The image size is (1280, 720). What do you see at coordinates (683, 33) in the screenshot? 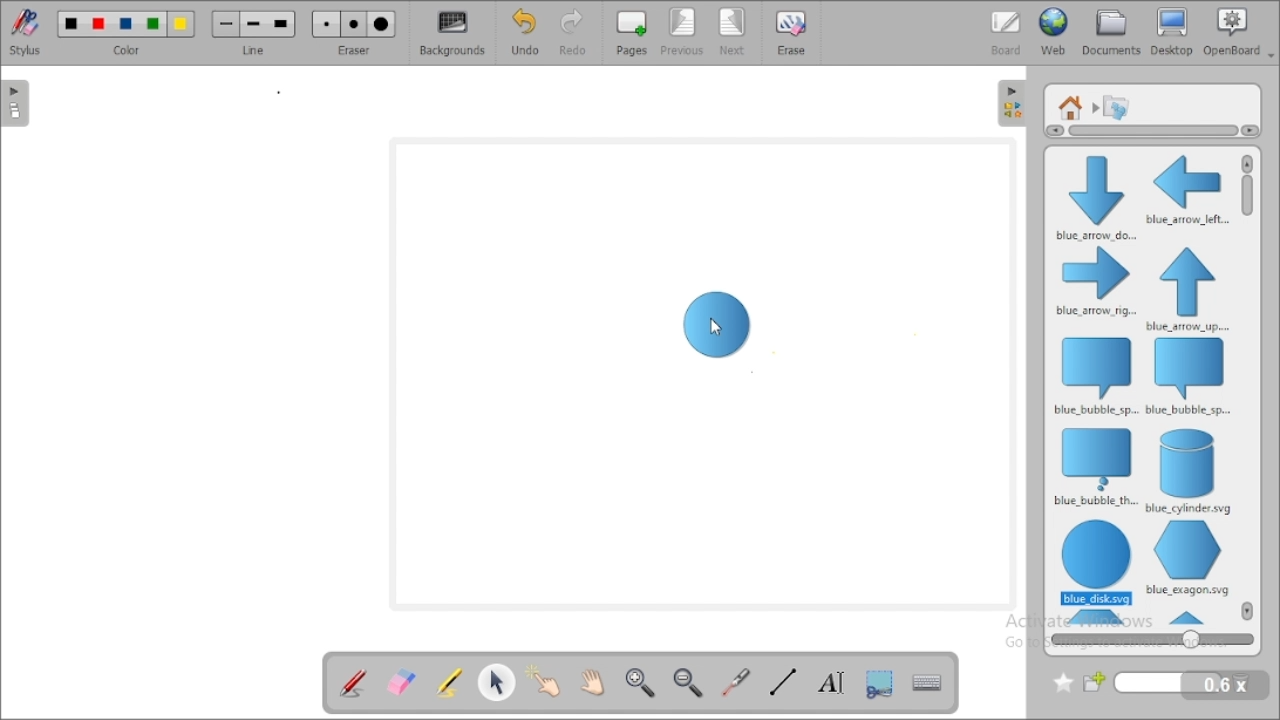
I see `previous` at bounding box center [683, 33].